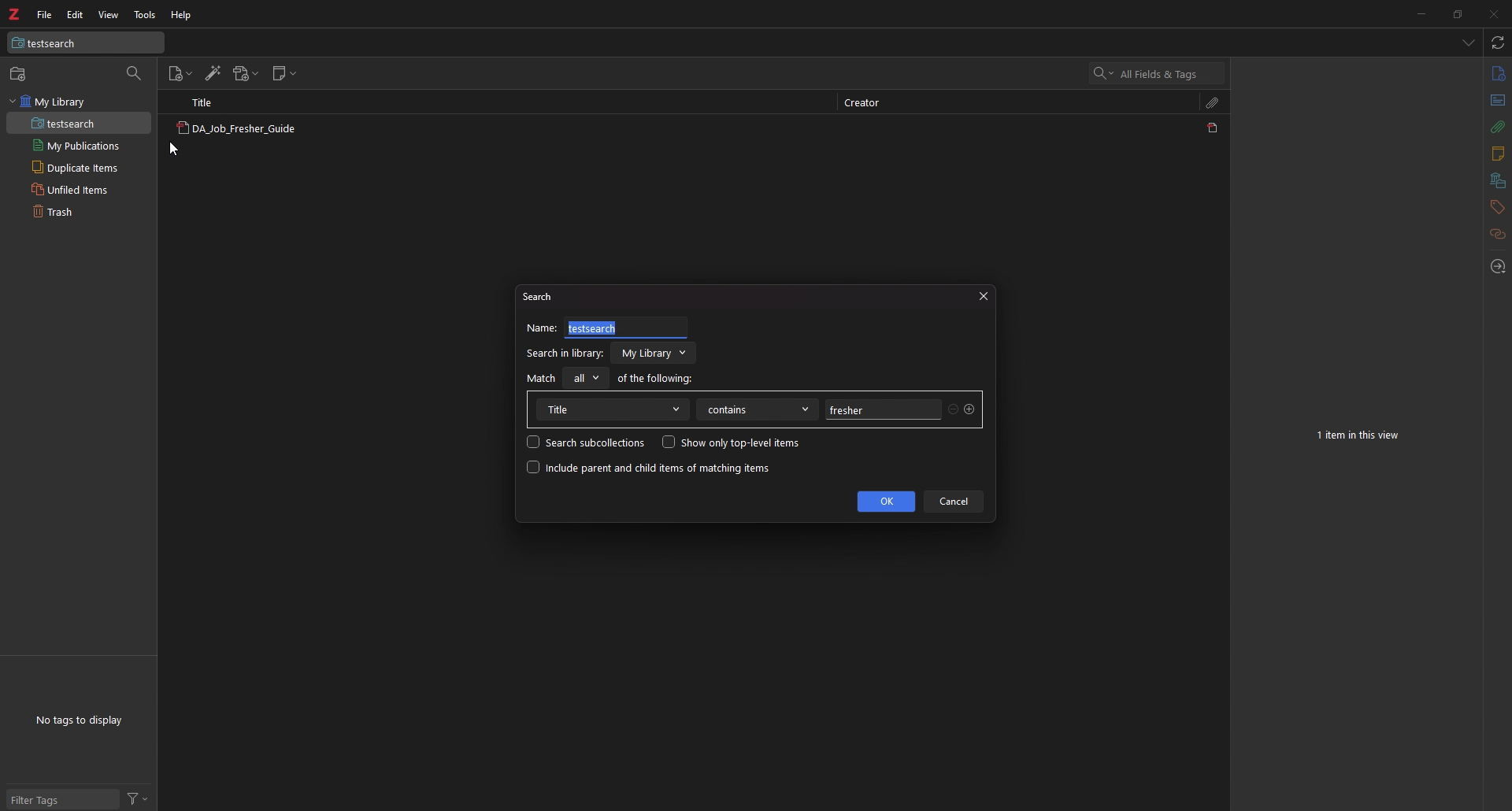 Image resolution: width=1512 pixels, height=811 pixels. I want to click on search in library, so click(565, 354).